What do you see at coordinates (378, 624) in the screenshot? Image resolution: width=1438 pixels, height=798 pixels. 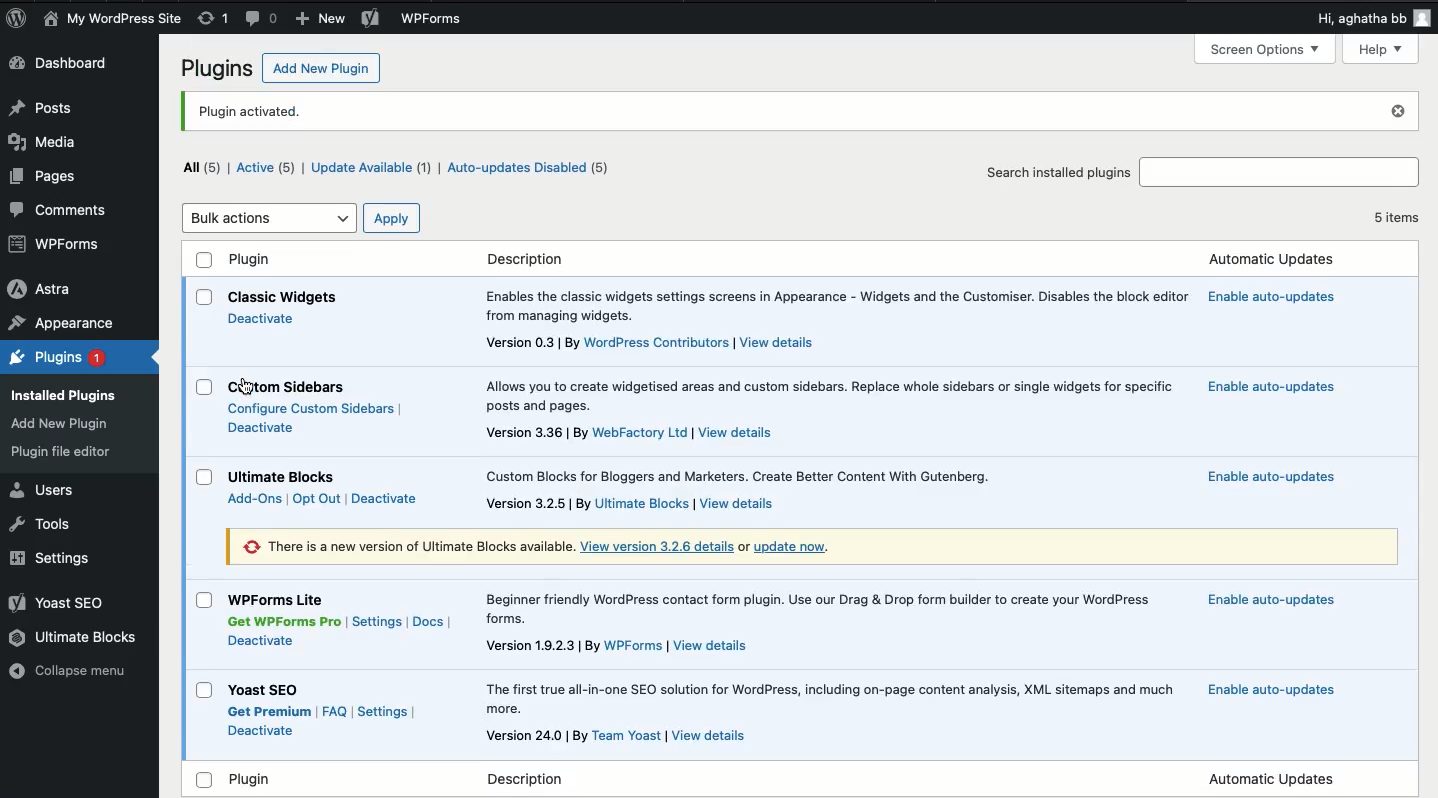 I see `Settings` at bounding box center [378, 624].